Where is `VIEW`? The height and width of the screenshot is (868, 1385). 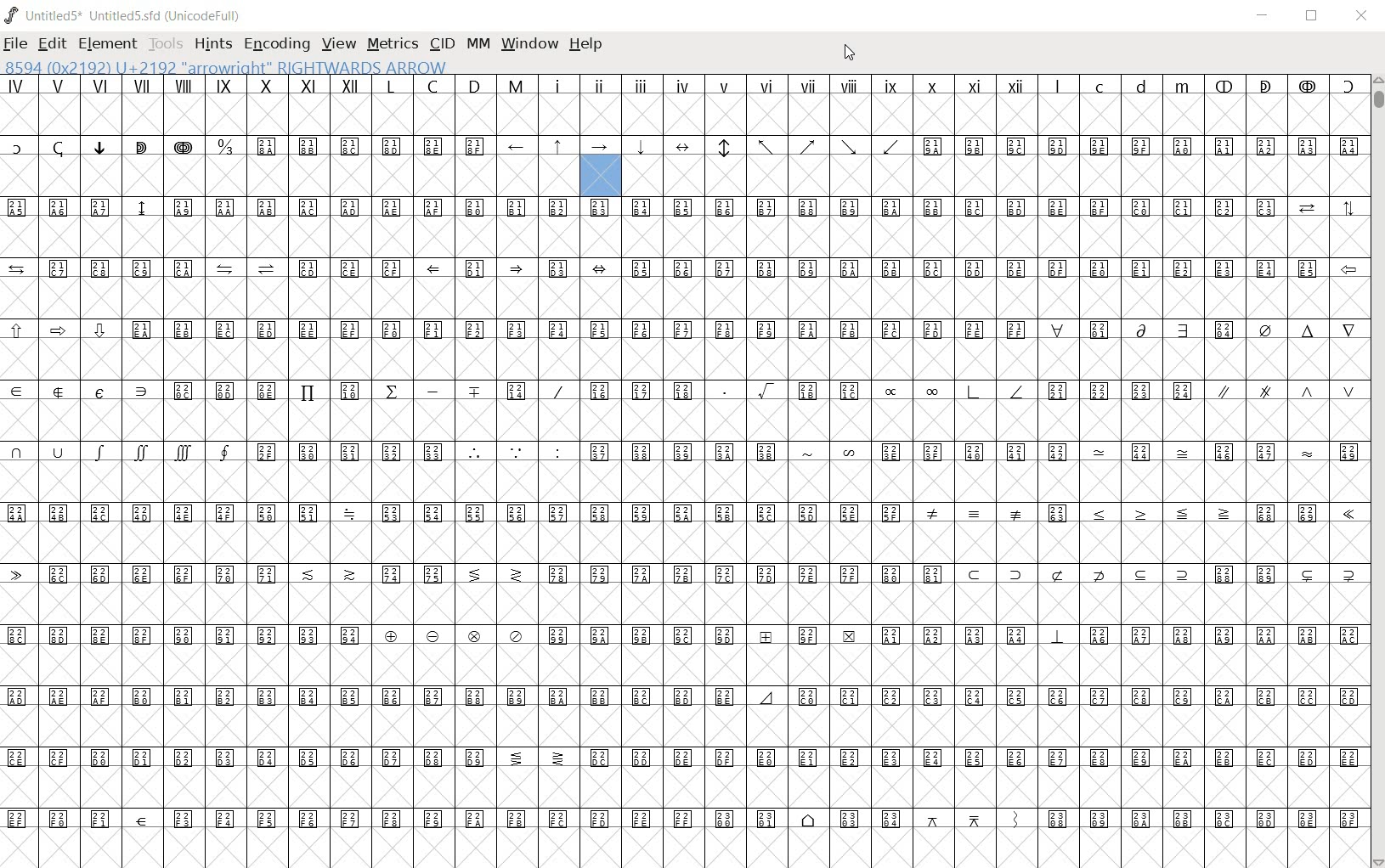 VIEW is located at coordinates (337, 44).